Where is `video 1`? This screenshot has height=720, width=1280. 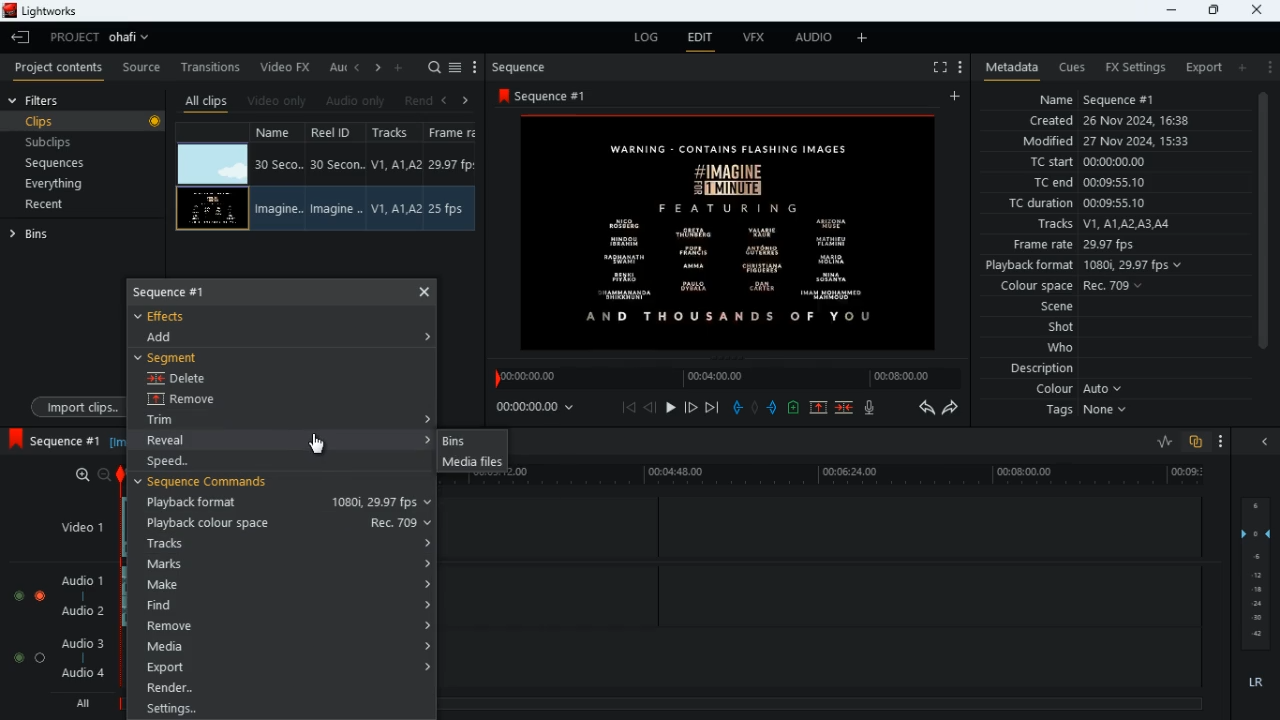 video 1 is located at coordinates (75, 526).